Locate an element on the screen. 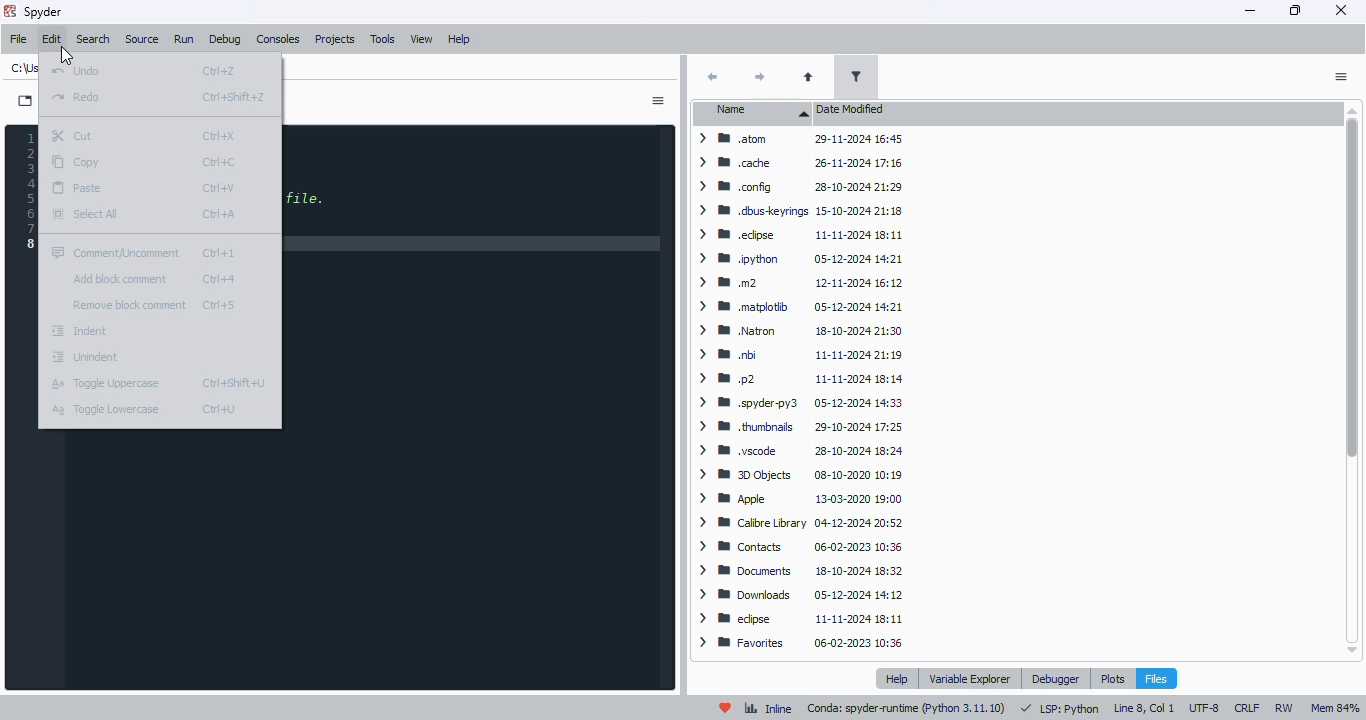 This screenshot has height=720, width=1366. shortcut for toggle lowercase is located at coordinates (219, 409).